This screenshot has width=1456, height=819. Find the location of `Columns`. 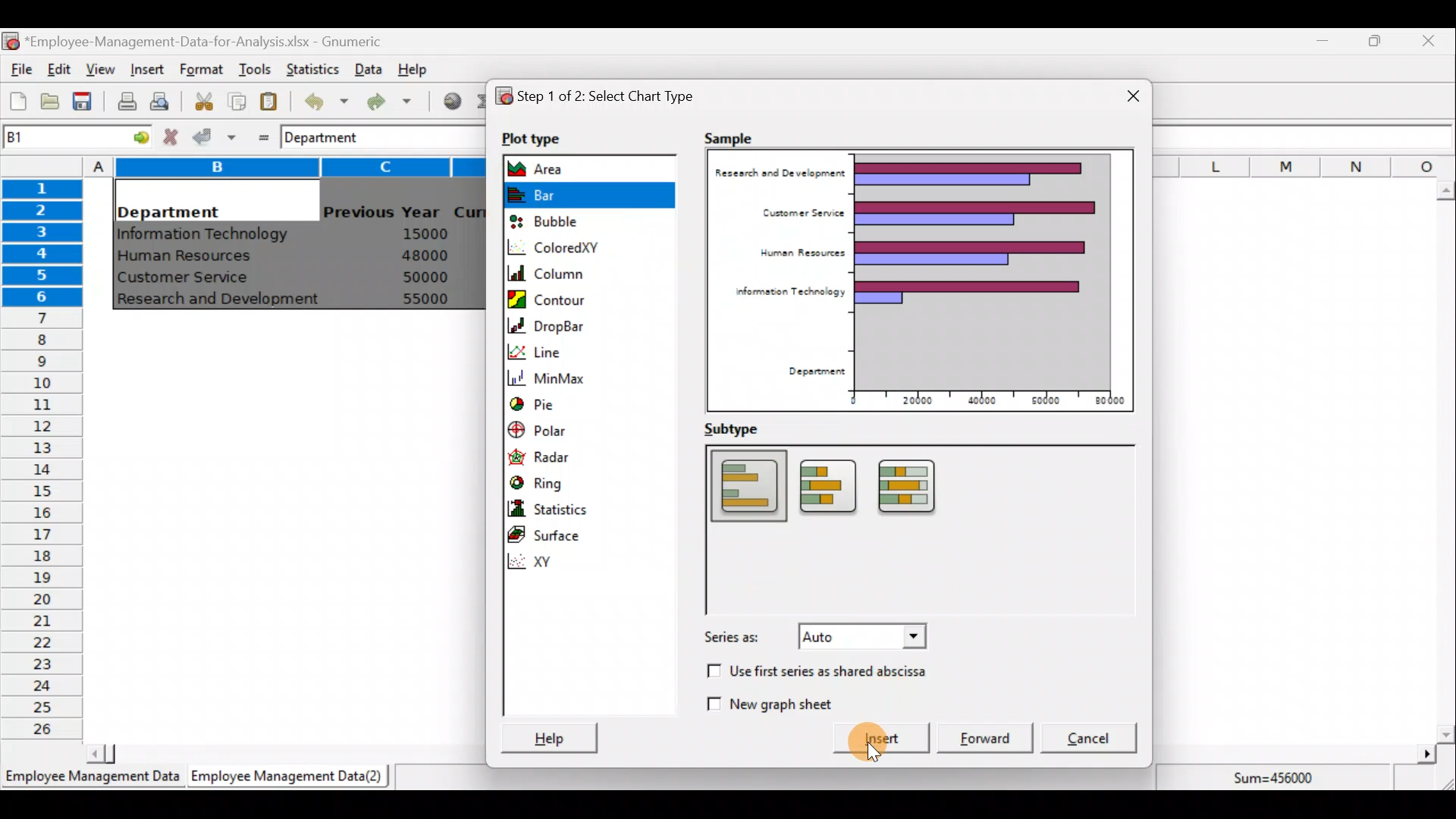

Columns is located at coordinates (1305, 164).